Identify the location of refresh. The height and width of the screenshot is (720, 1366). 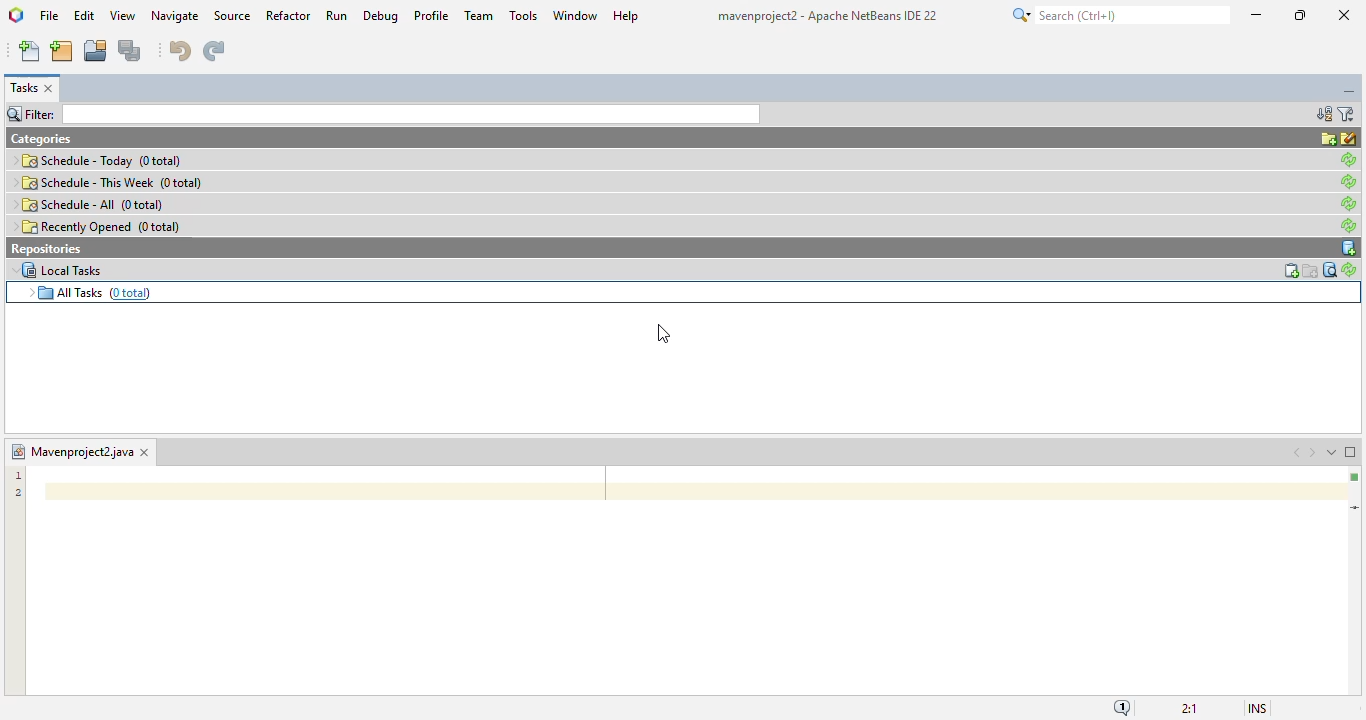
(1349, 270).